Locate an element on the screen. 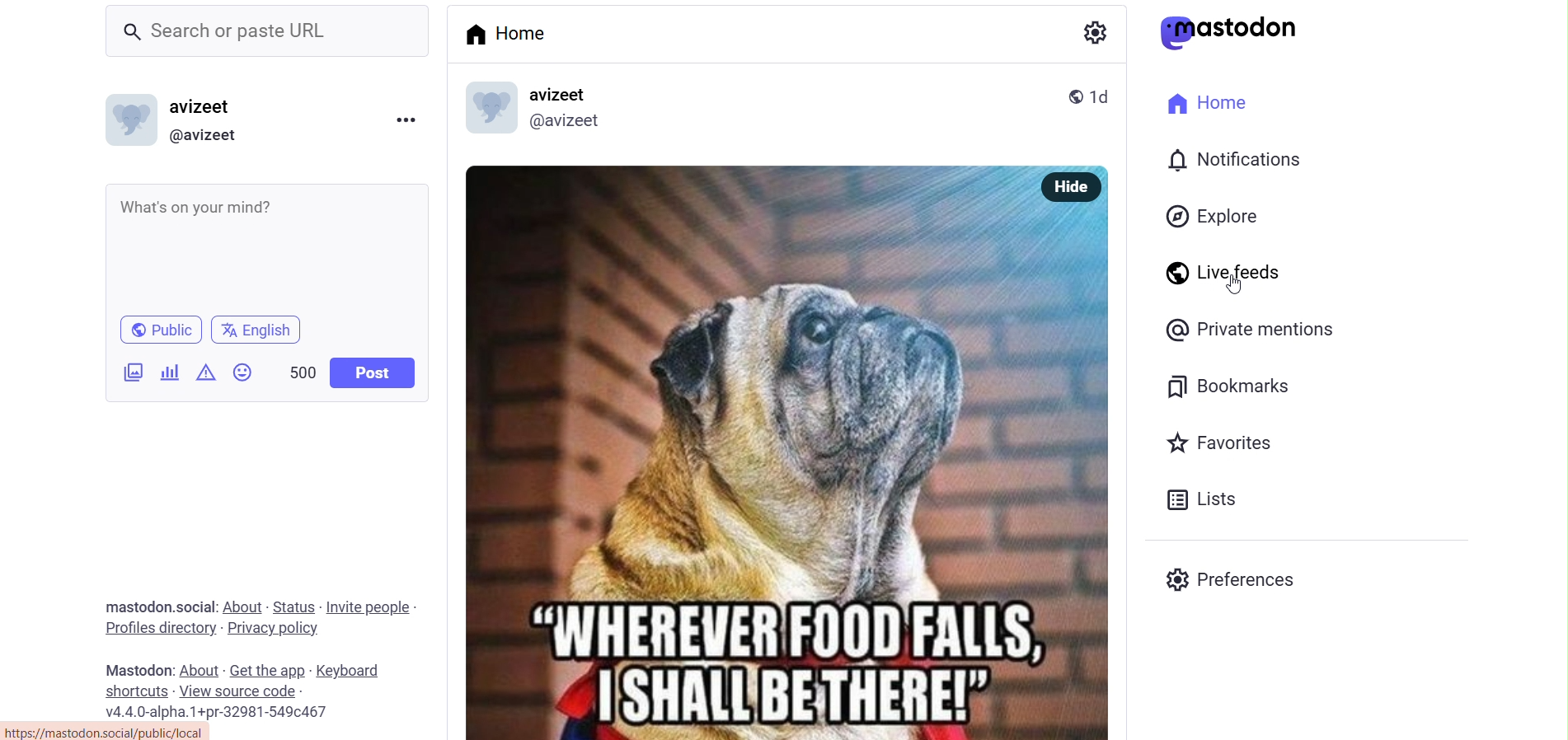 The width and height of the screenshot is (1568, 740). favorite is located at coordinates (1226, 447).